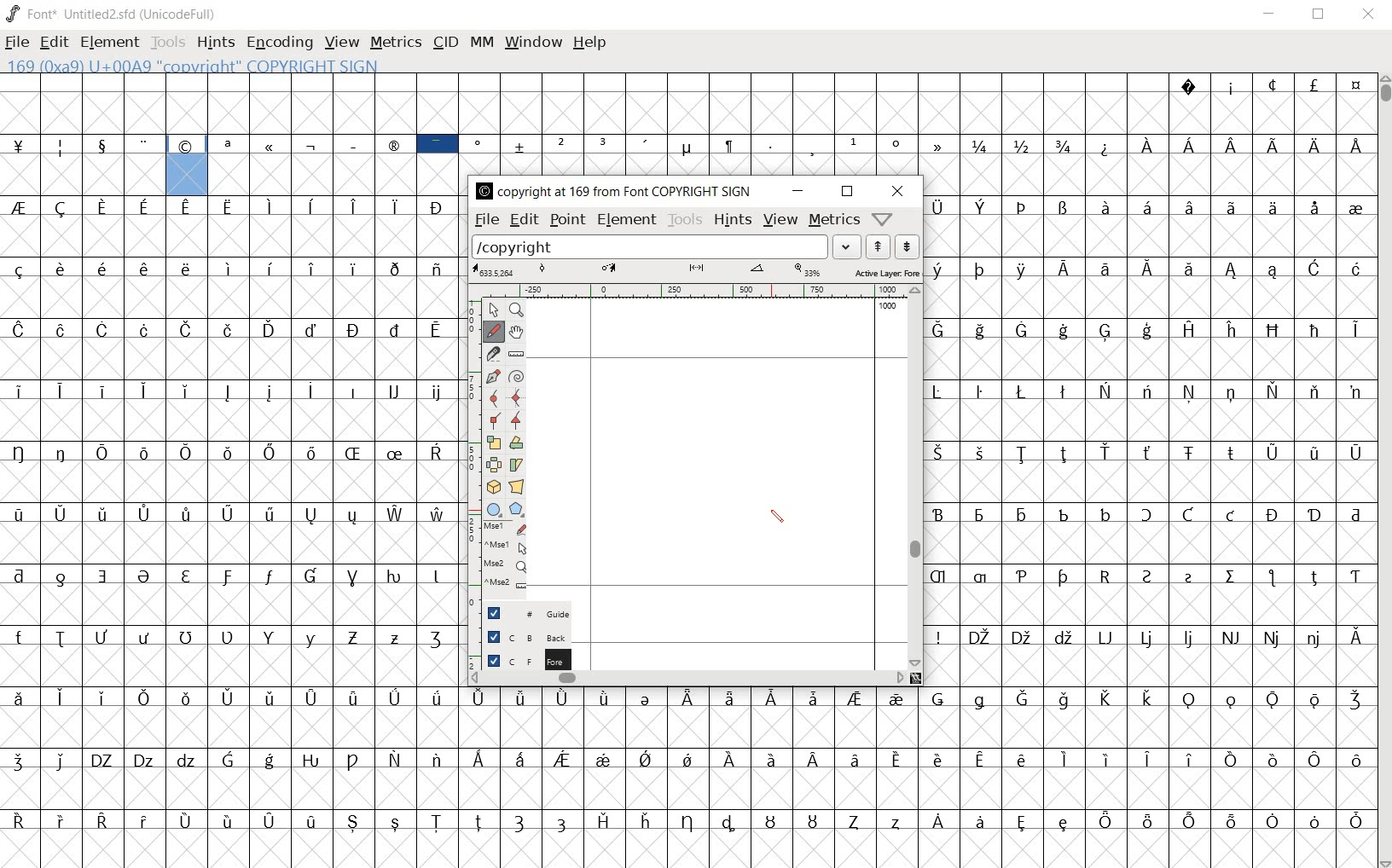 This screenshot has height=868, width=1392. Describe the element at coordinates (515, 333) in the screenshot. I see `scroll by hand` at that location.